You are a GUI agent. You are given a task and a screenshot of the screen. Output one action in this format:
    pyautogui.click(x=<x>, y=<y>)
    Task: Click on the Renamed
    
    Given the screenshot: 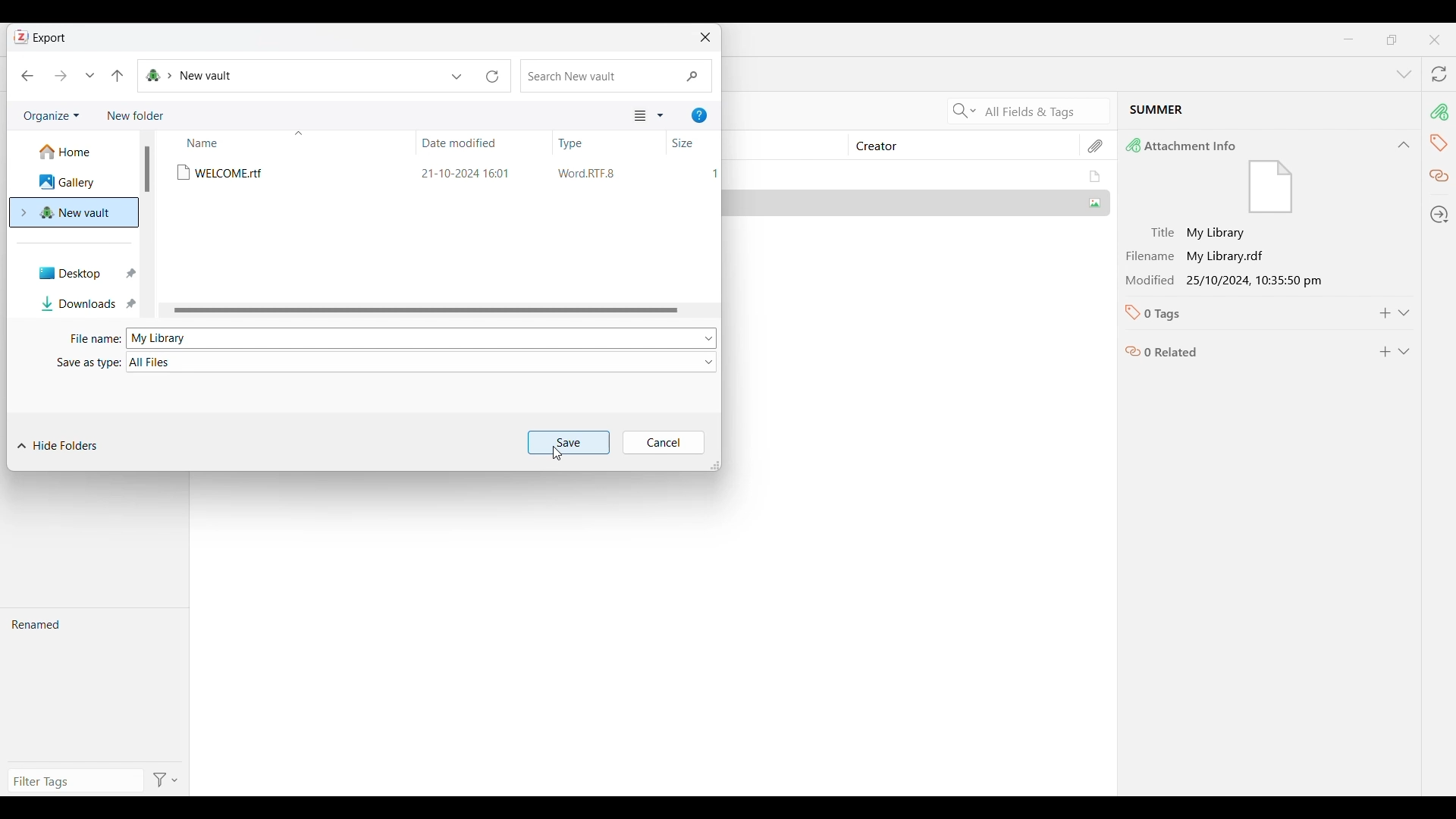 What is the action you would take?
    pyautogui.click(x=94, y=685)
    